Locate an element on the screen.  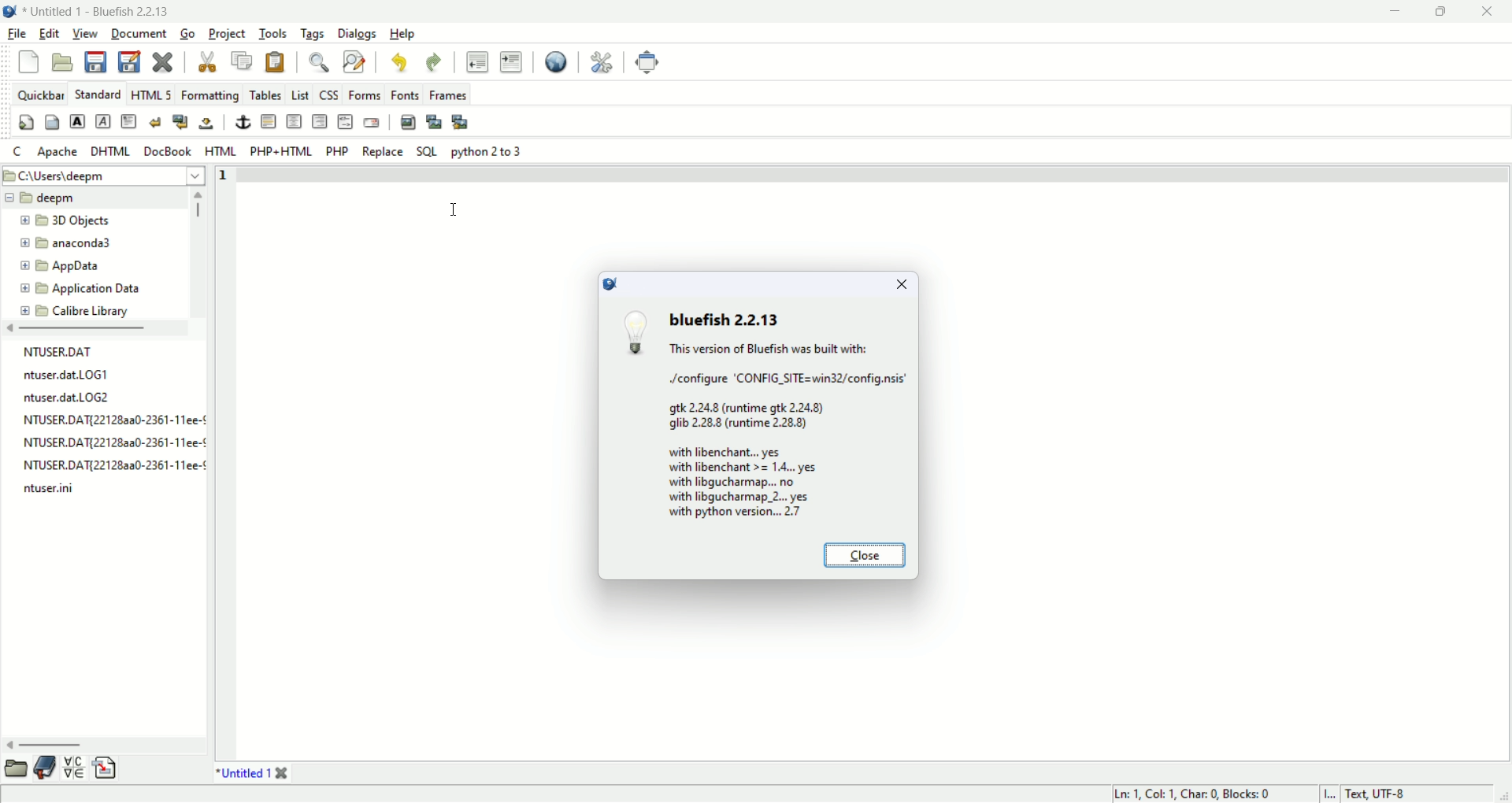
application icon is located at coordinates (10, 12).